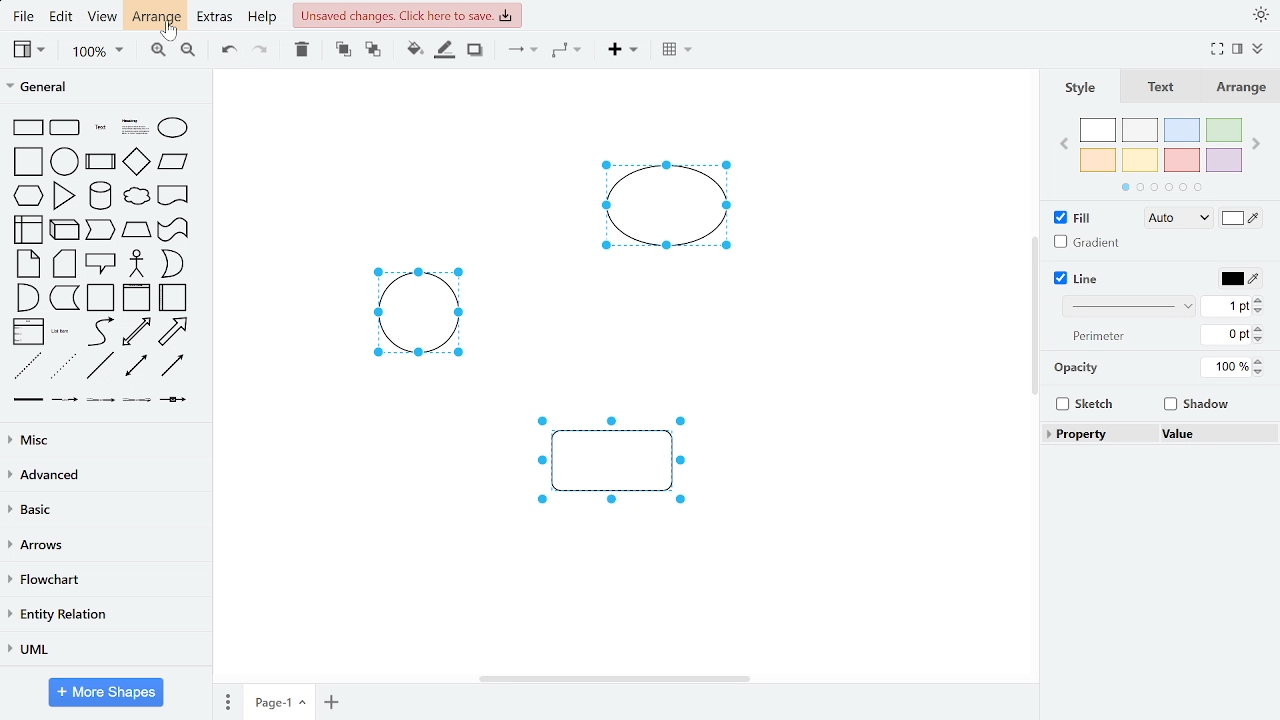  What do you see at coordinates (100, 231) in the screenshot?
I see `step` at bounding box center [100, 231].